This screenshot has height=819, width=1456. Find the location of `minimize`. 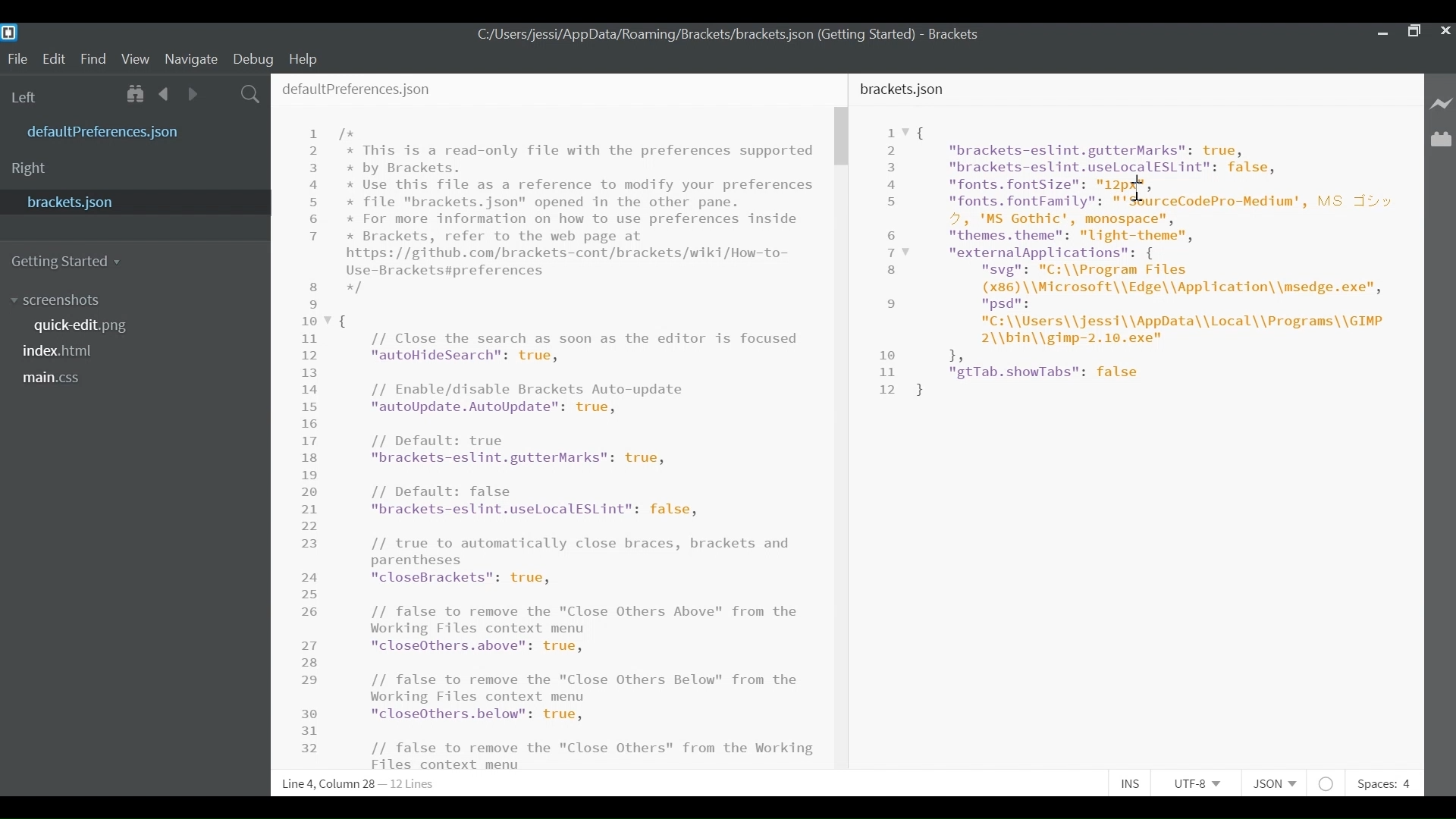

minimize is located at coordinates (1381, 32).